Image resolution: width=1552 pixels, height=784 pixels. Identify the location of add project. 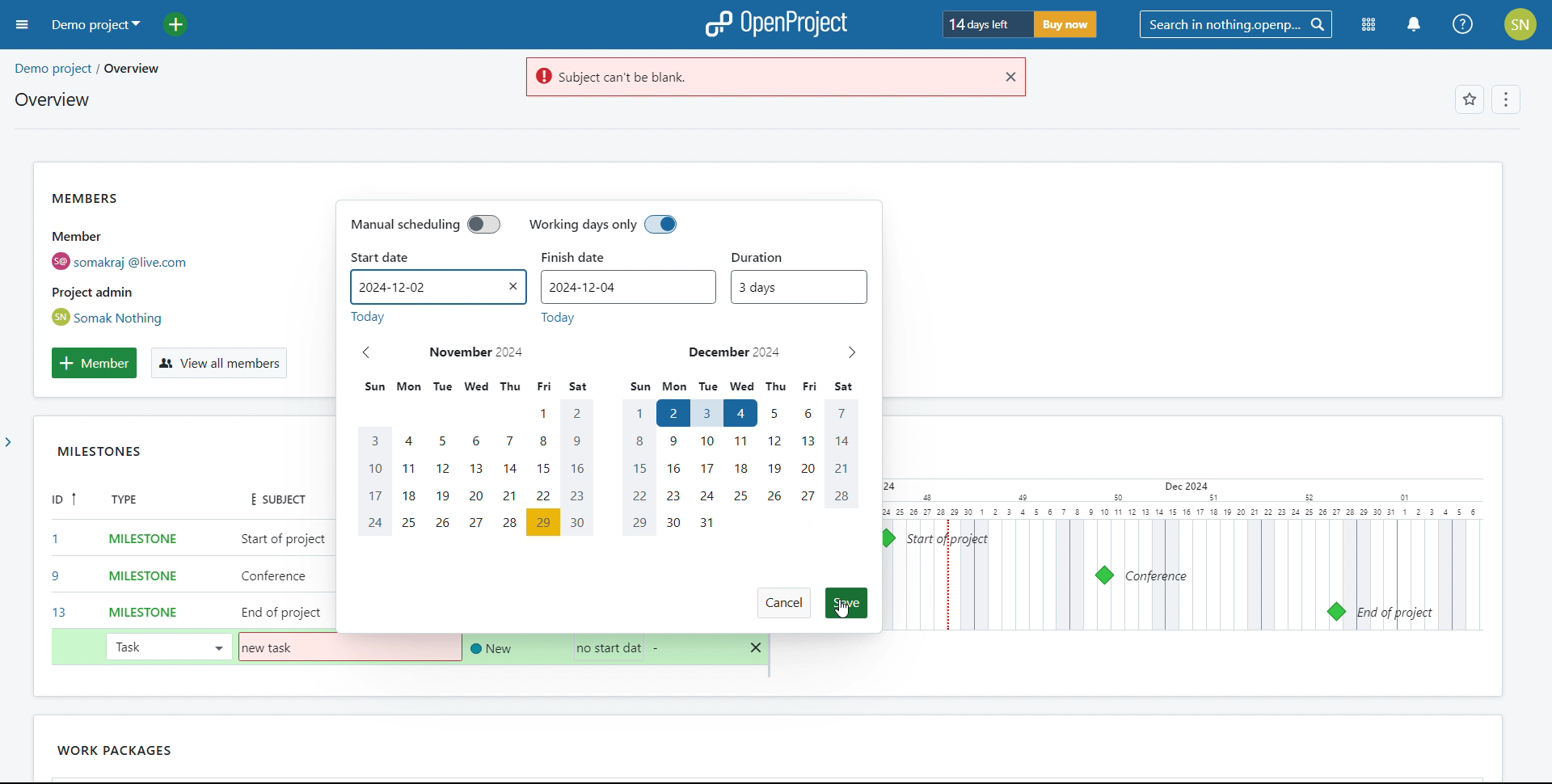
(185, 24).